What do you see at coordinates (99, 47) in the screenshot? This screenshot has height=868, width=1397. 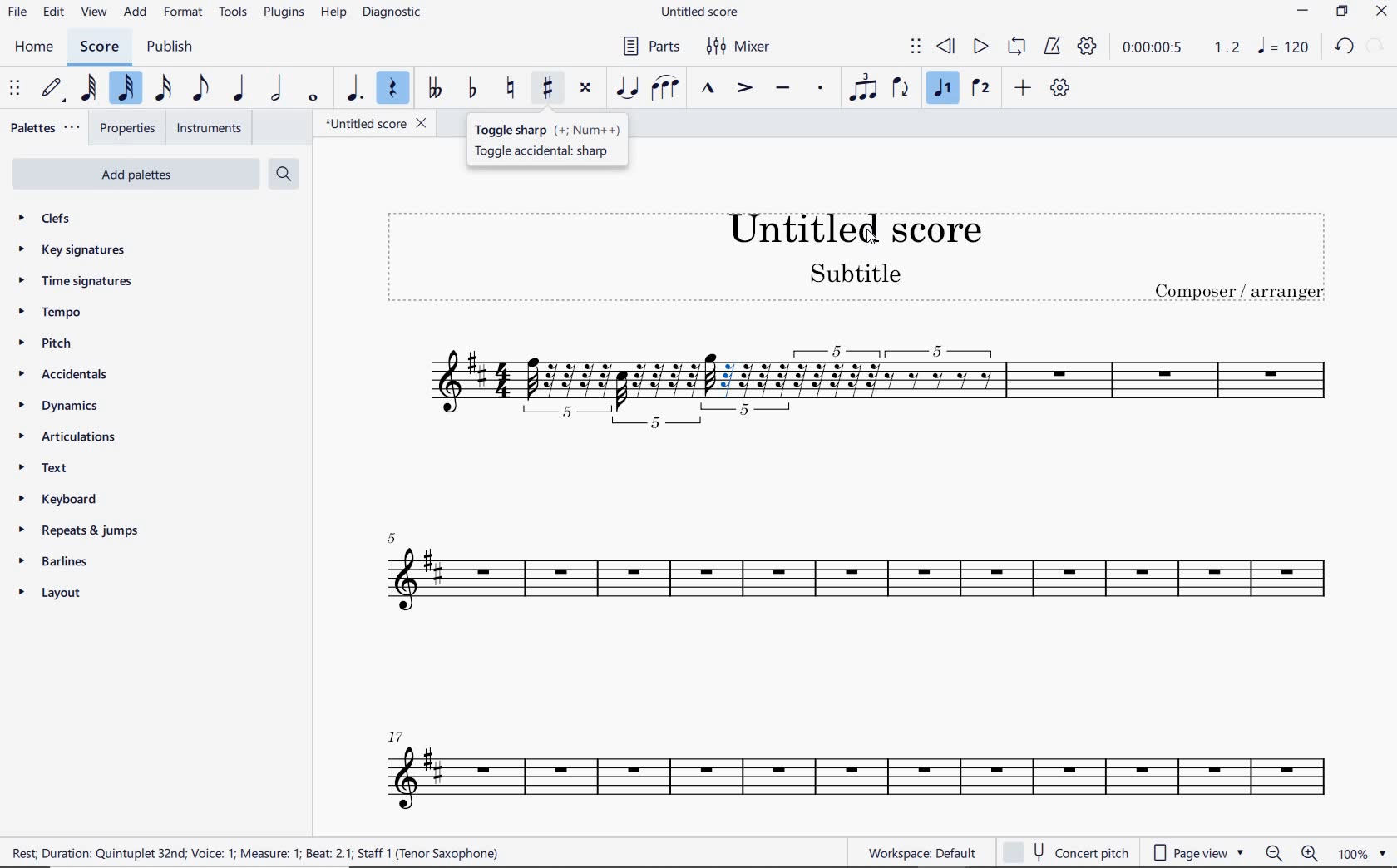 I see `SCORE` at bounding box center [99, 47].